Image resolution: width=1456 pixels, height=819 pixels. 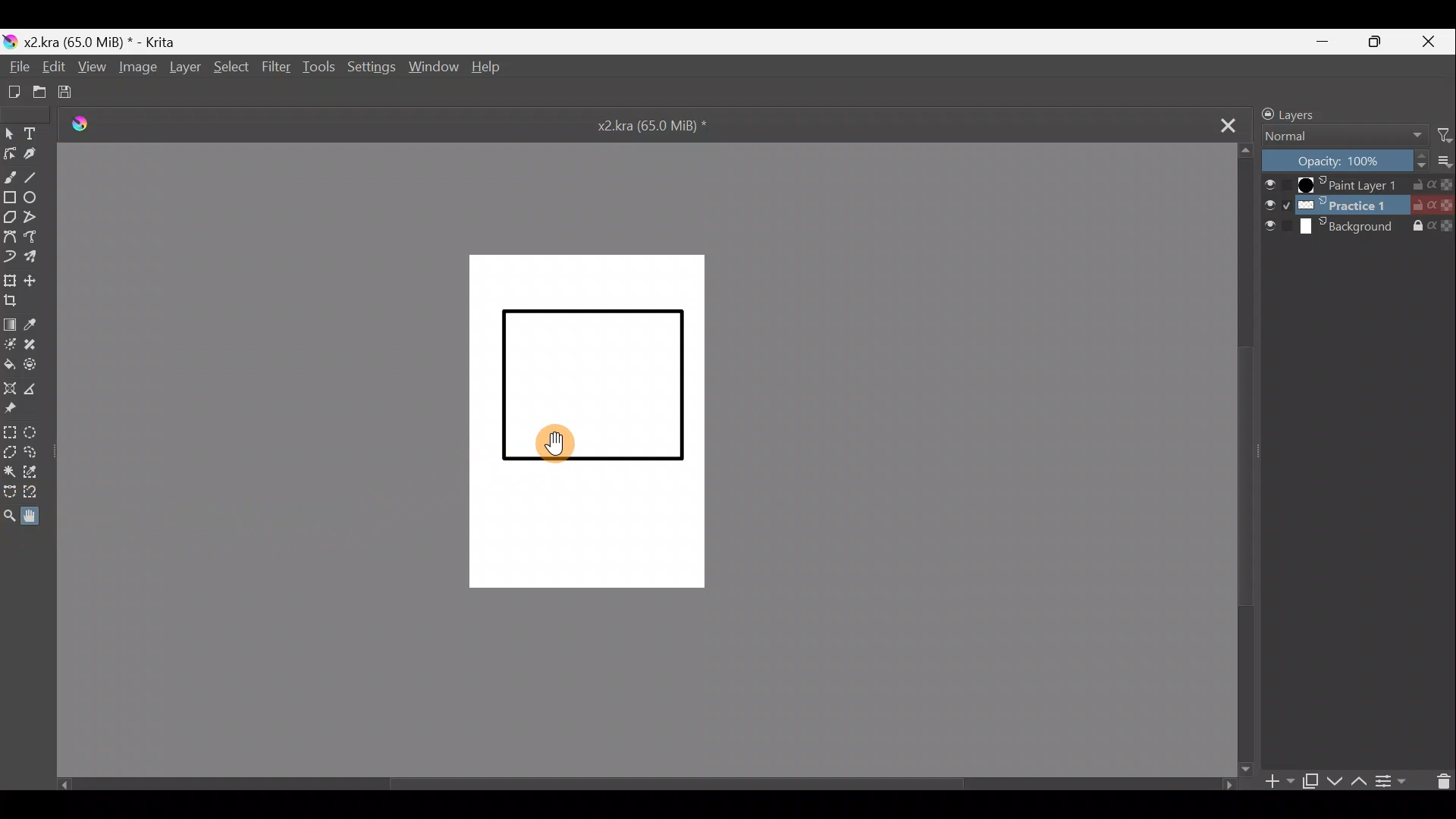 I want to click on Background, so click(x=1359, y=228).